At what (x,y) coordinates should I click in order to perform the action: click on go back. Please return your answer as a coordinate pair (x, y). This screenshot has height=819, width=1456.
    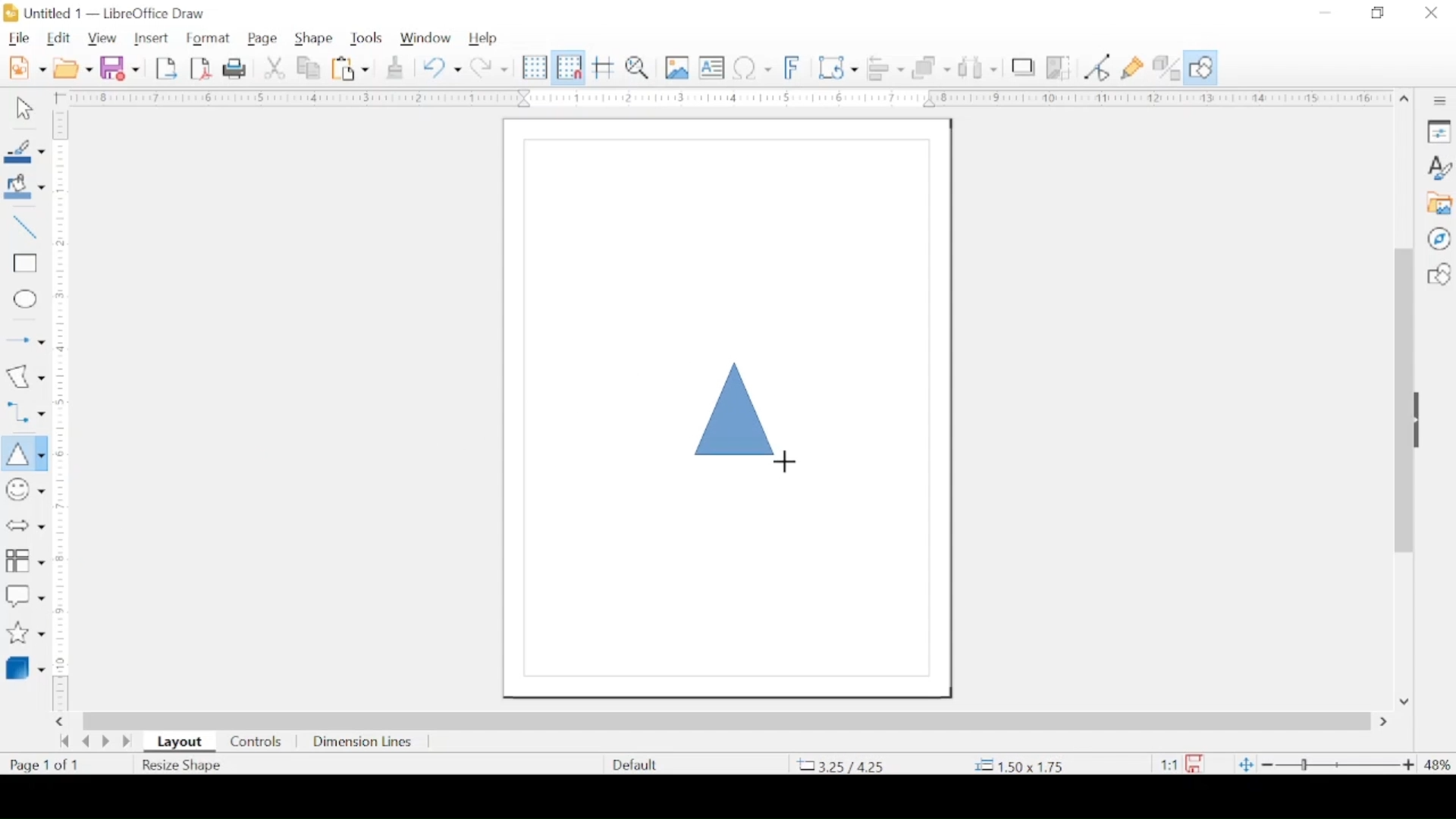
    Looking at the image, I should click on (64, 741).